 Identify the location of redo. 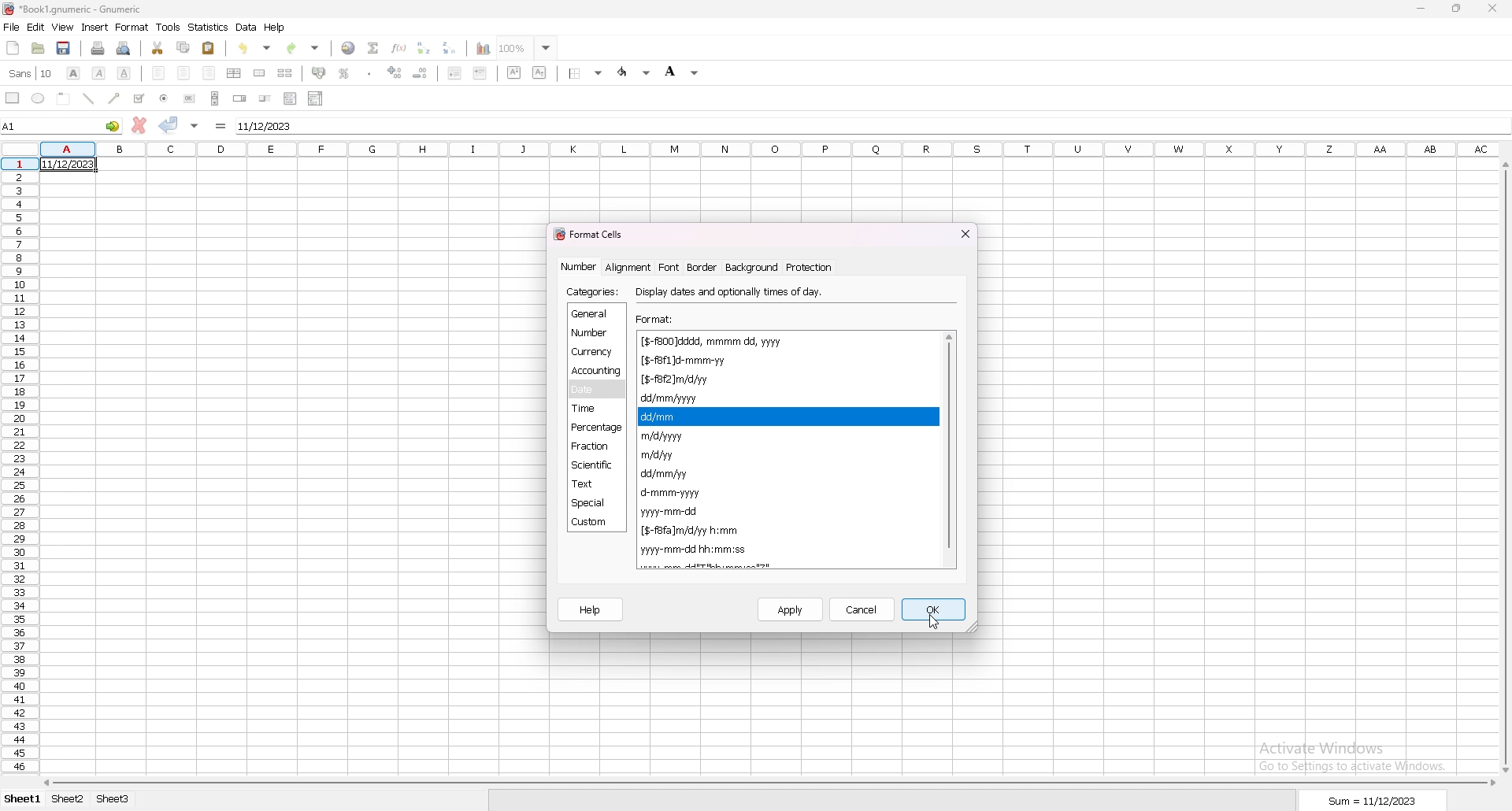
(303, 48).